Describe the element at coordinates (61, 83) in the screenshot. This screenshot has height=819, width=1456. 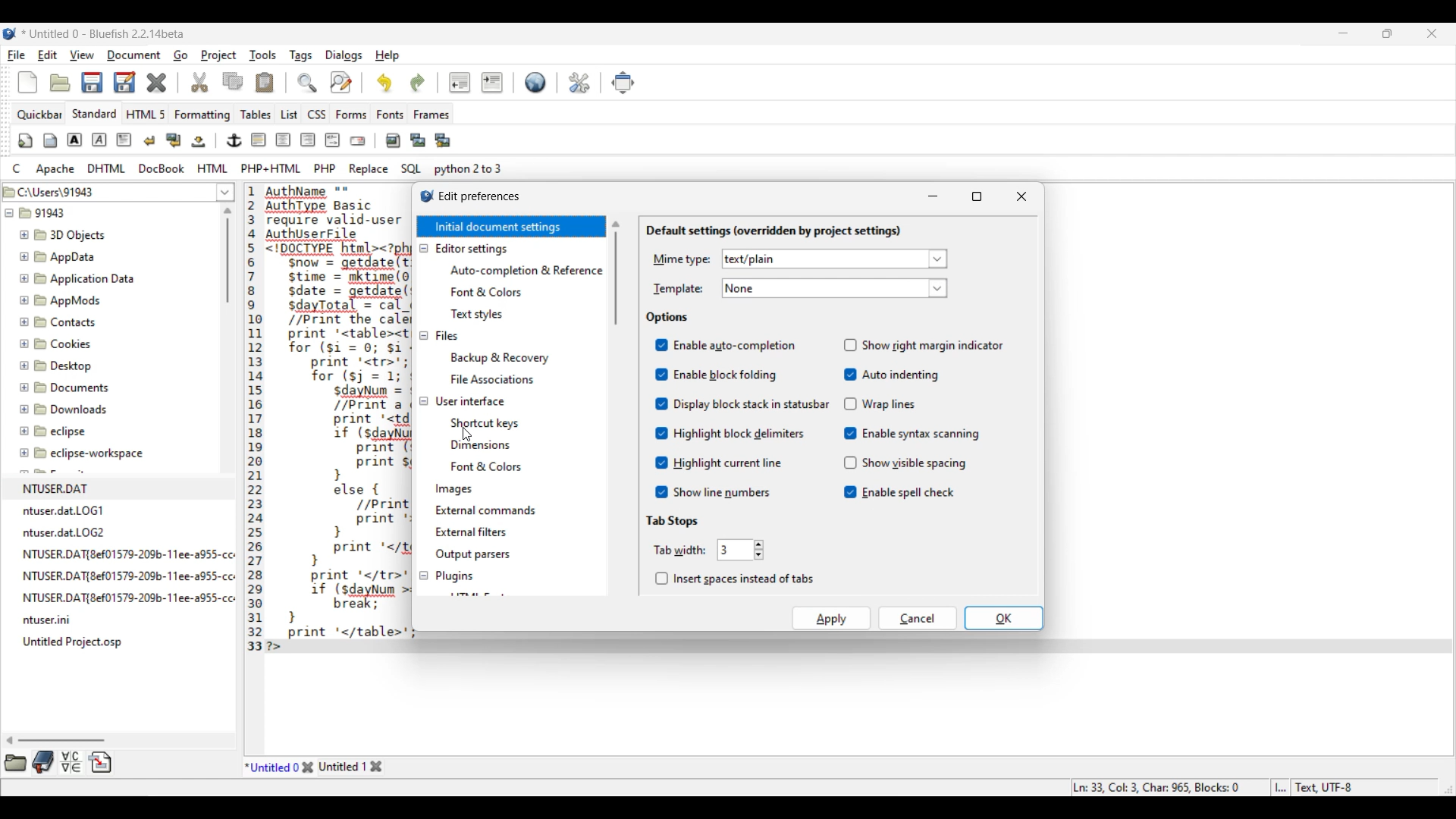
I see `Open` at that location.